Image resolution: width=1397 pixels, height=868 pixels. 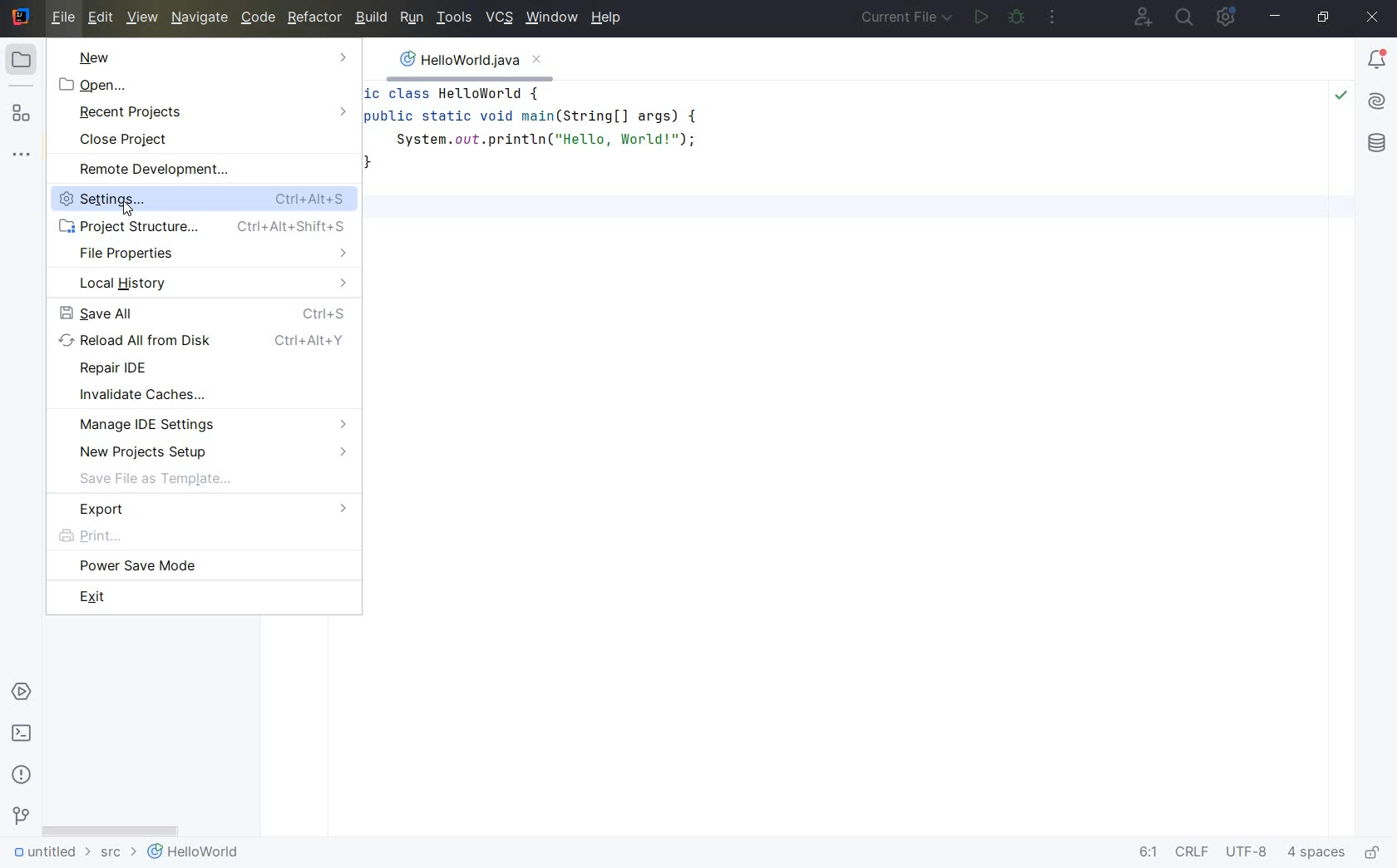 I want to click on filename, so click(x=469, y=64).